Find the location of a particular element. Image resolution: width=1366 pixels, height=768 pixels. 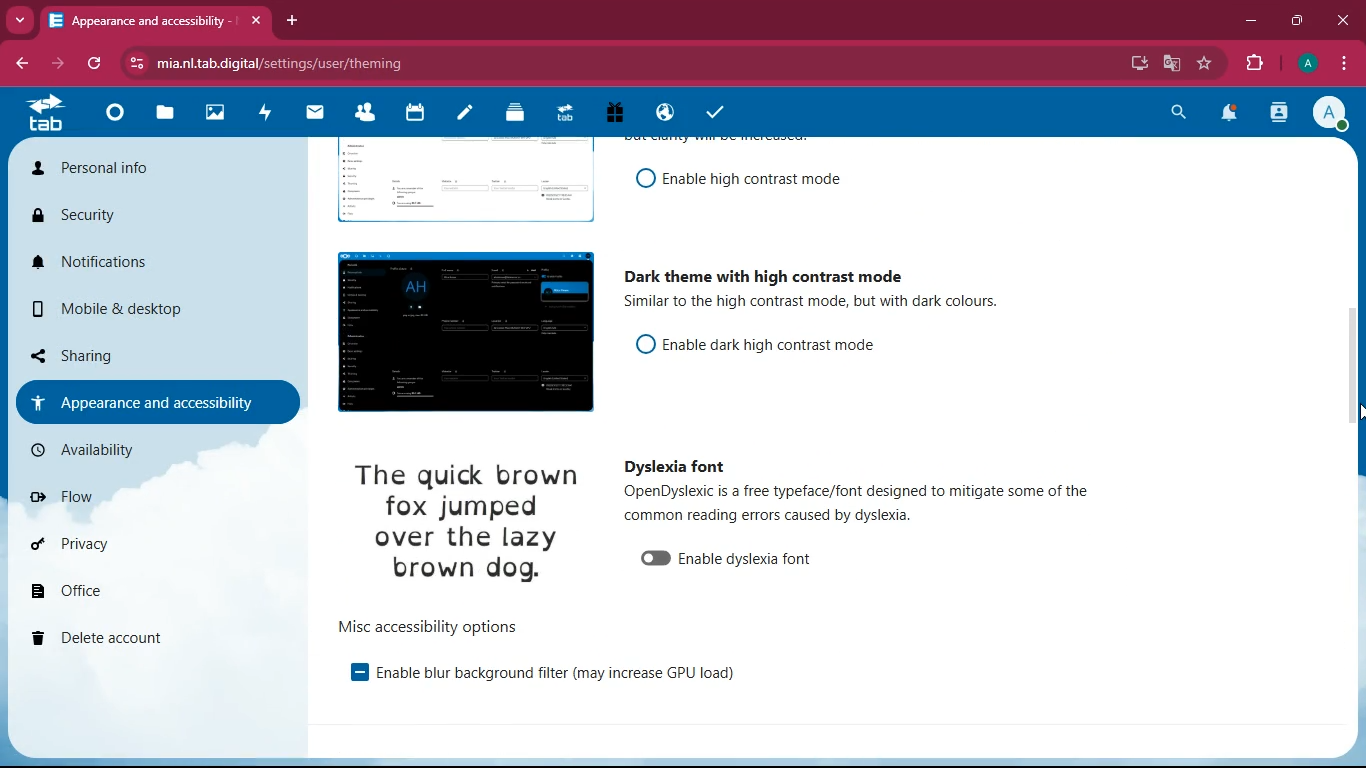

files is located at coordinates (167, 115).